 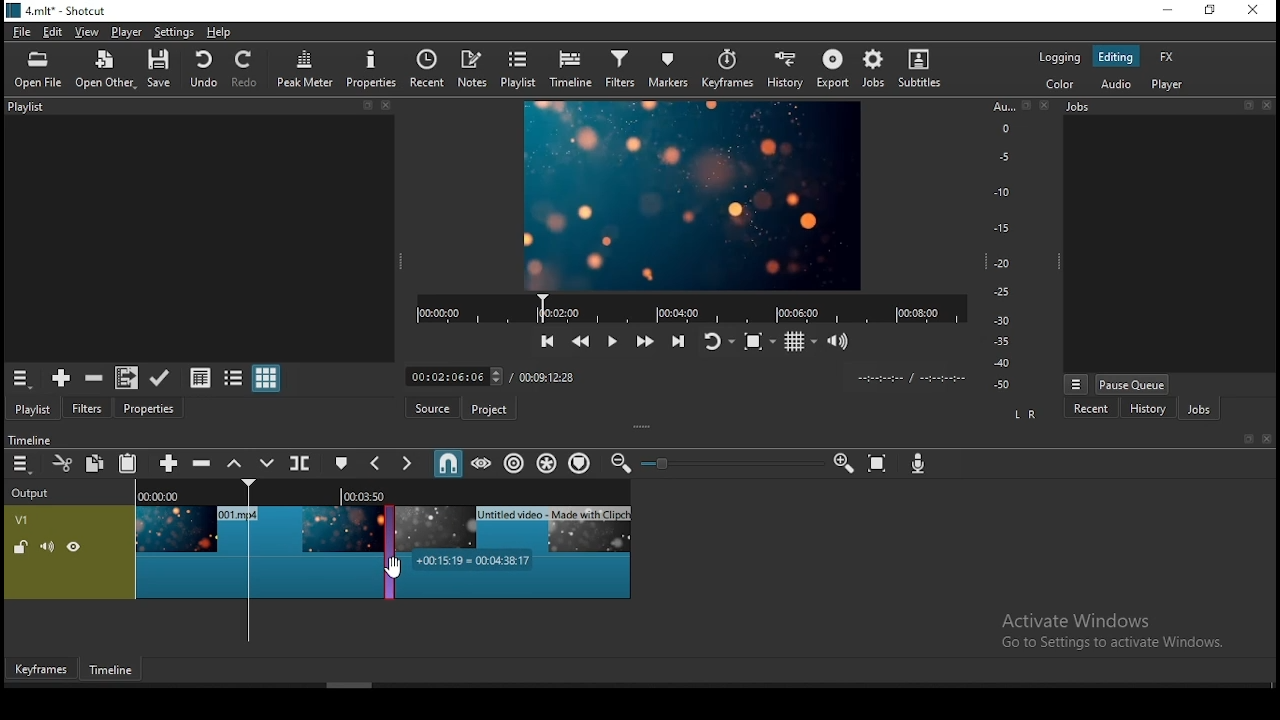 What do you see at coordinates (1093, 407) in the screenshot?
I see `recent` at bounding box center [1093, 407].